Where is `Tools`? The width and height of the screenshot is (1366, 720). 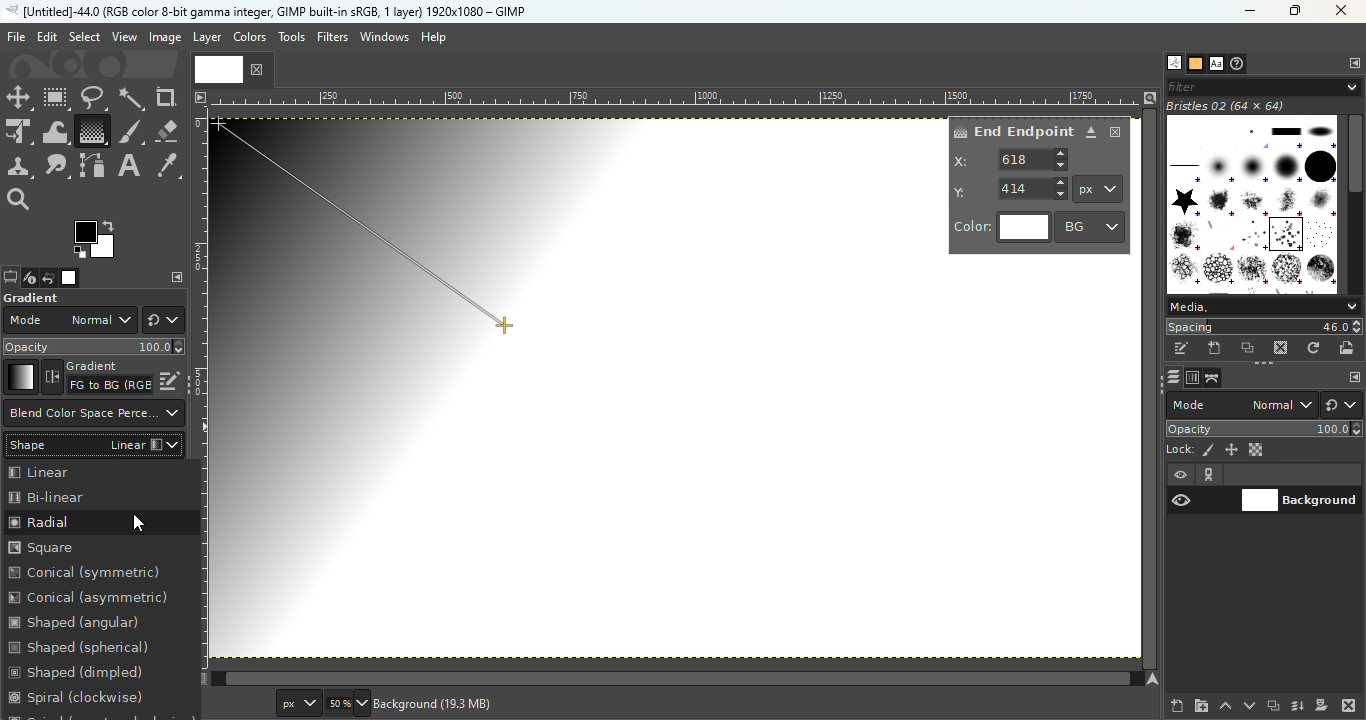
Tools is located at coordinates (294, 42).